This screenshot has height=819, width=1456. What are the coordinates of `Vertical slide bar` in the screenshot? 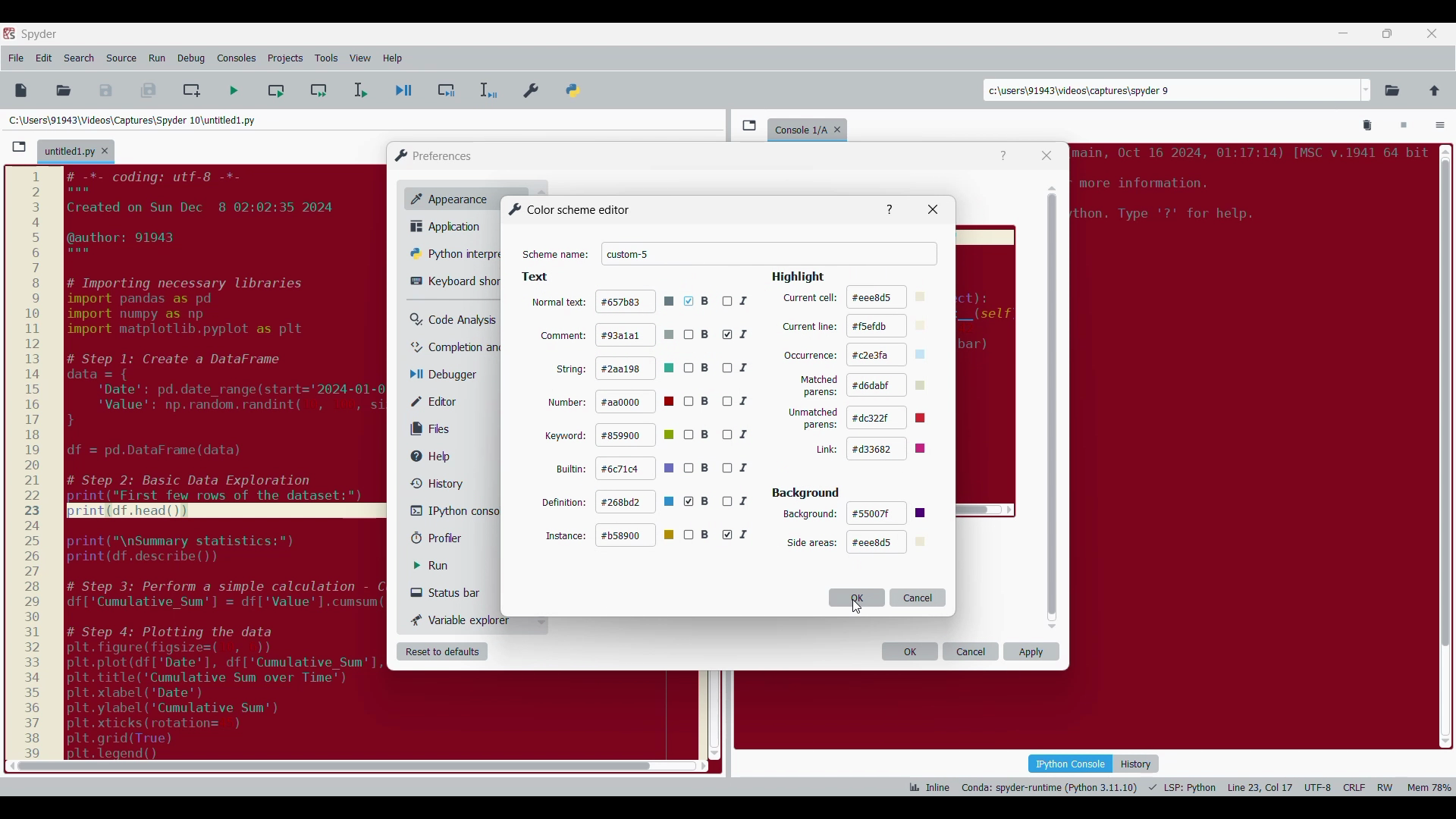 It's located at (1053, 407).